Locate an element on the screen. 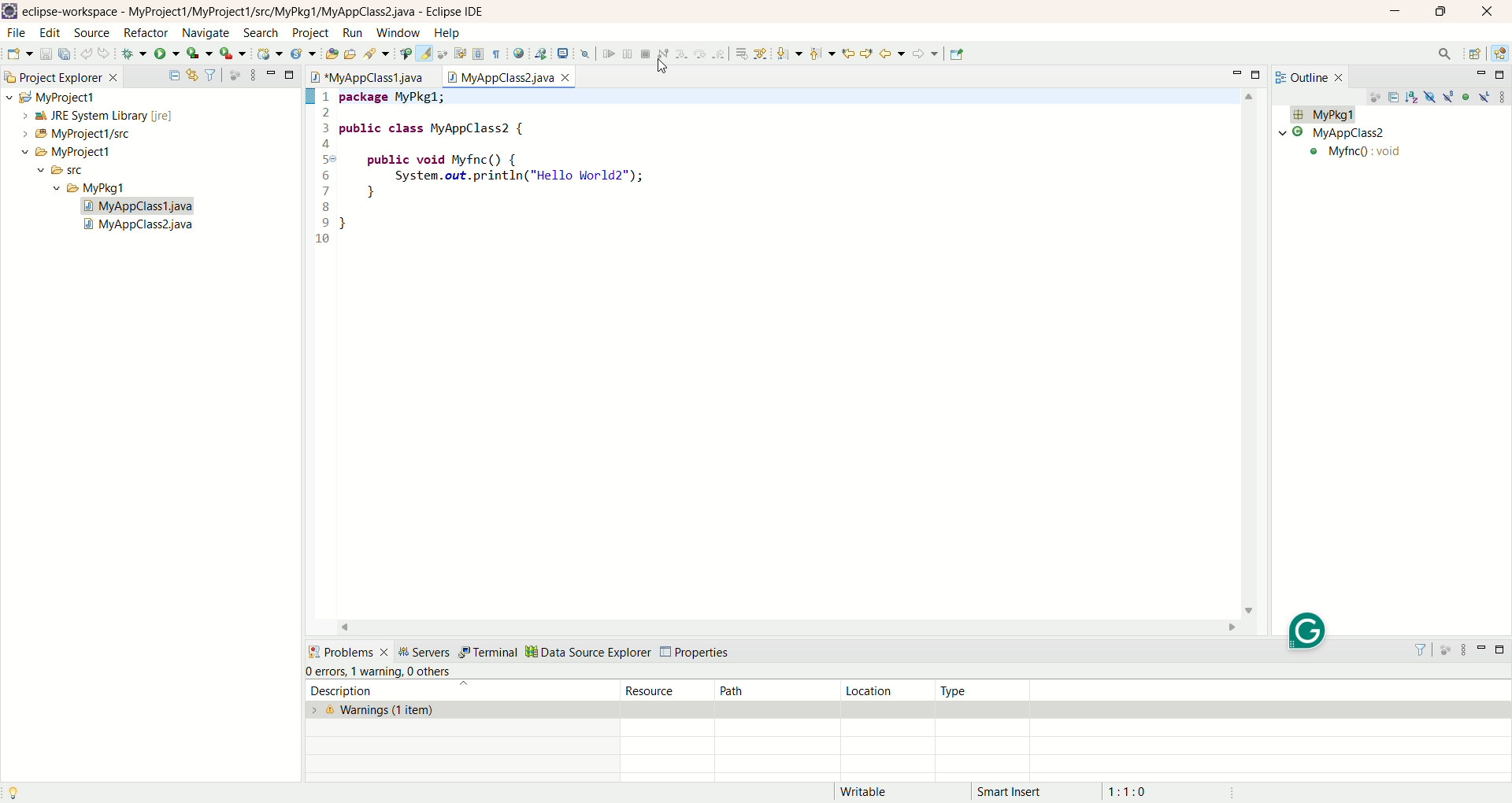 The height and width of the screenshot is (803, 1512). maximize is located at coordinates (1502, 75).